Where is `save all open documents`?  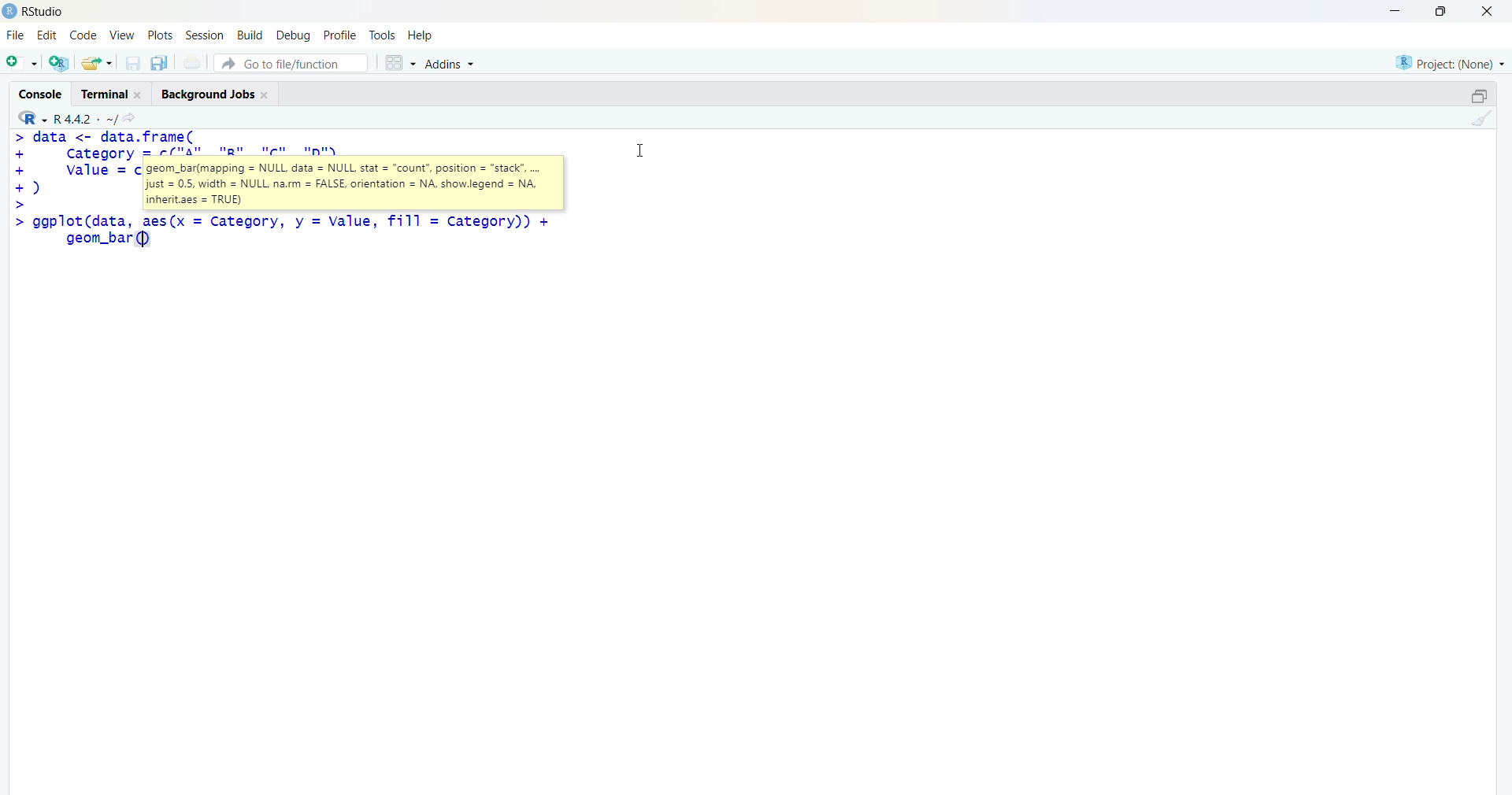 save all open documents is located at coordinates (158, 63).